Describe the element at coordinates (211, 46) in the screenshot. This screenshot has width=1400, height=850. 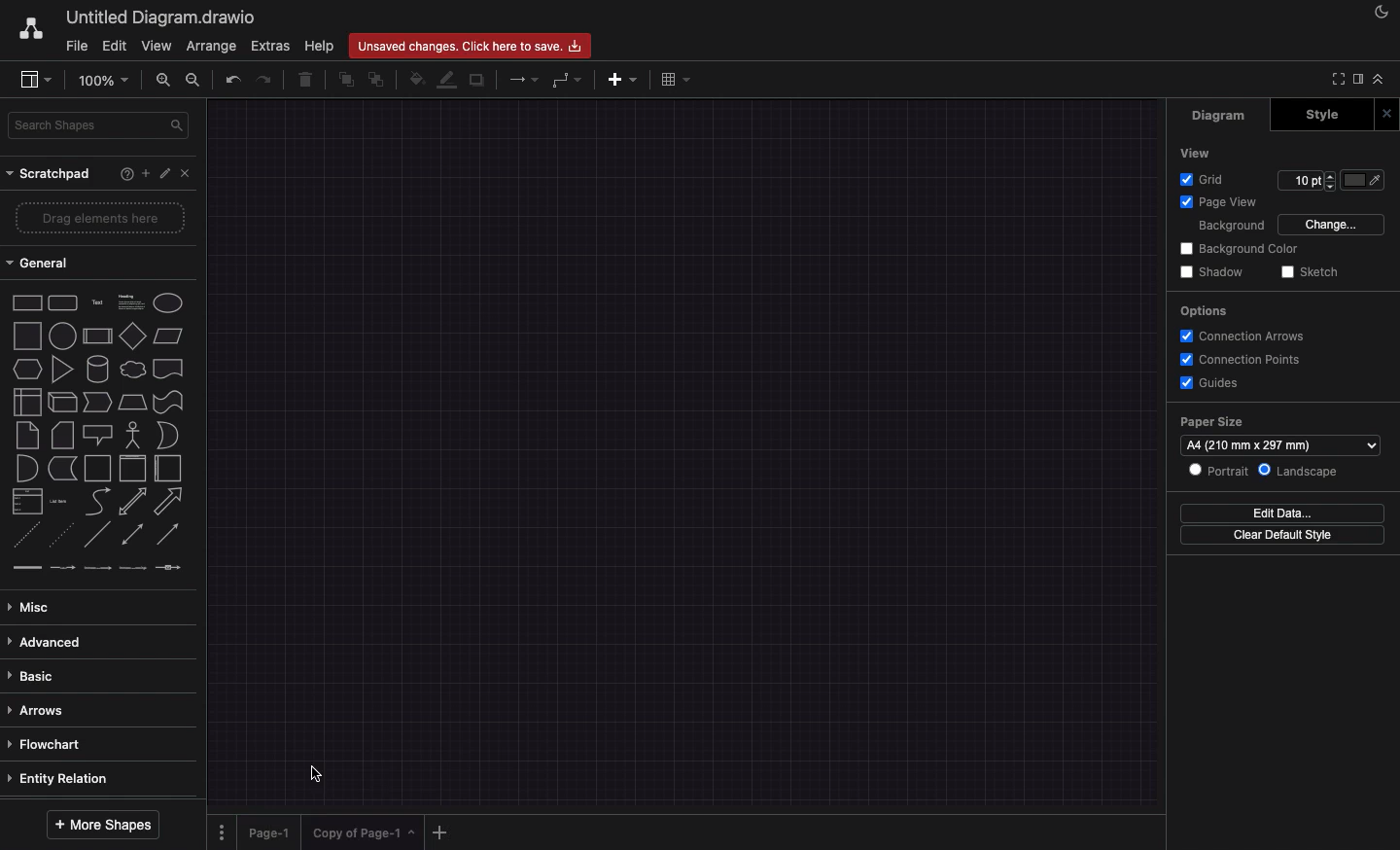
I see `arrange` at that location.